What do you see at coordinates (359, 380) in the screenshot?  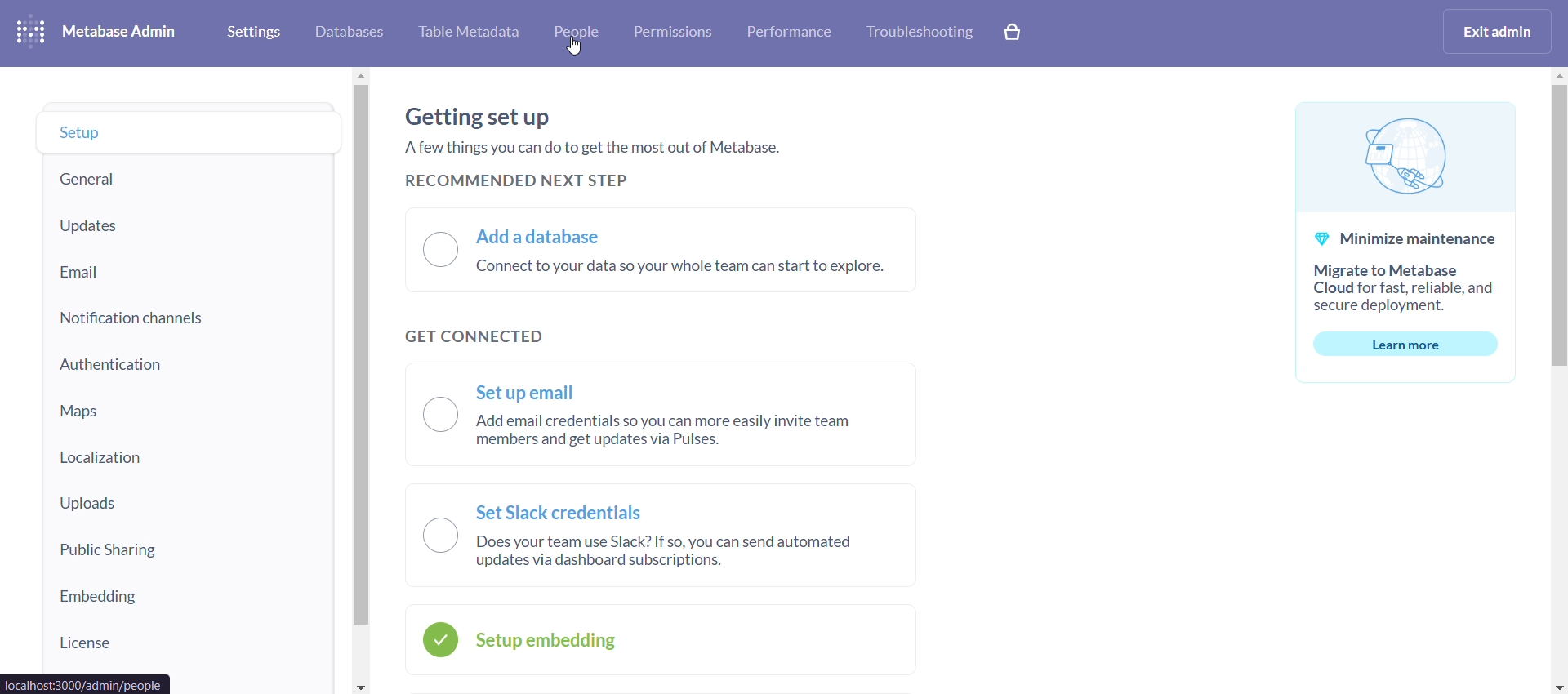 I see `vertical scroll bar` at bounding box center [359, 380].